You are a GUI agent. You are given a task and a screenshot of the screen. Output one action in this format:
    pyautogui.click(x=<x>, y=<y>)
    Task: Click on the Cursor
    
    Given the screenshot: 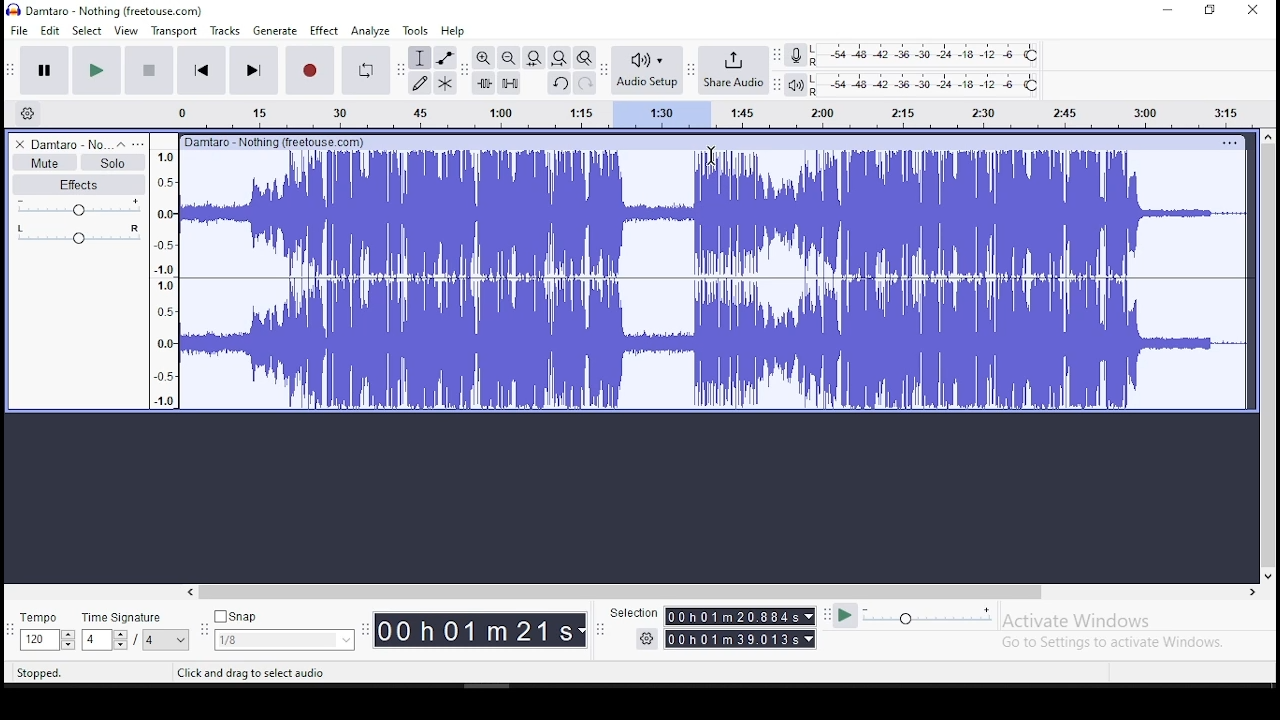 What is the action you would take?
    pyautogui.click(x=711, y=156)
    